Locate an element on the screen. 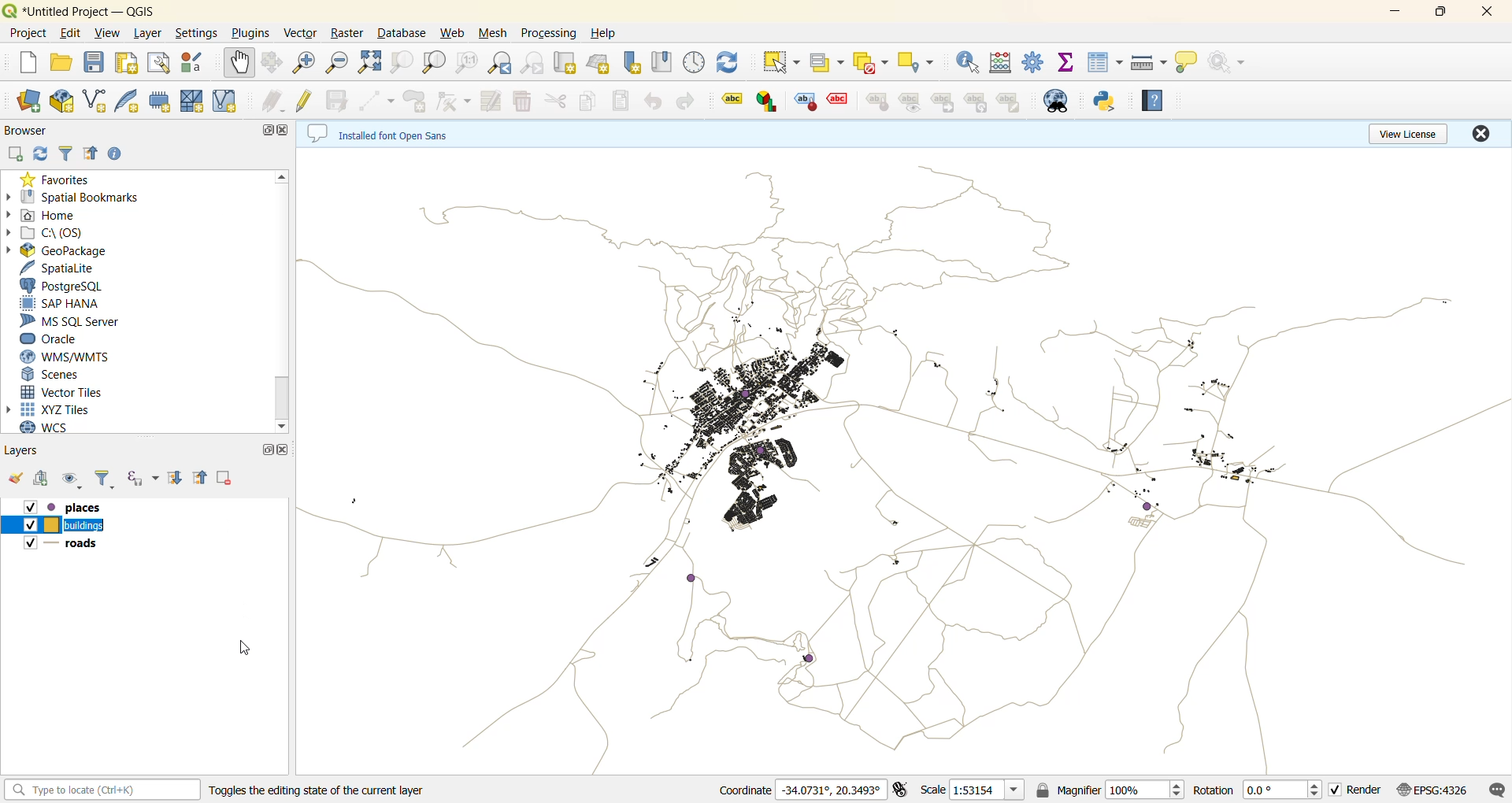 Image resolution: width=1512 pixels, height=803 pixels. crs is located at coordinates (1440, 788).